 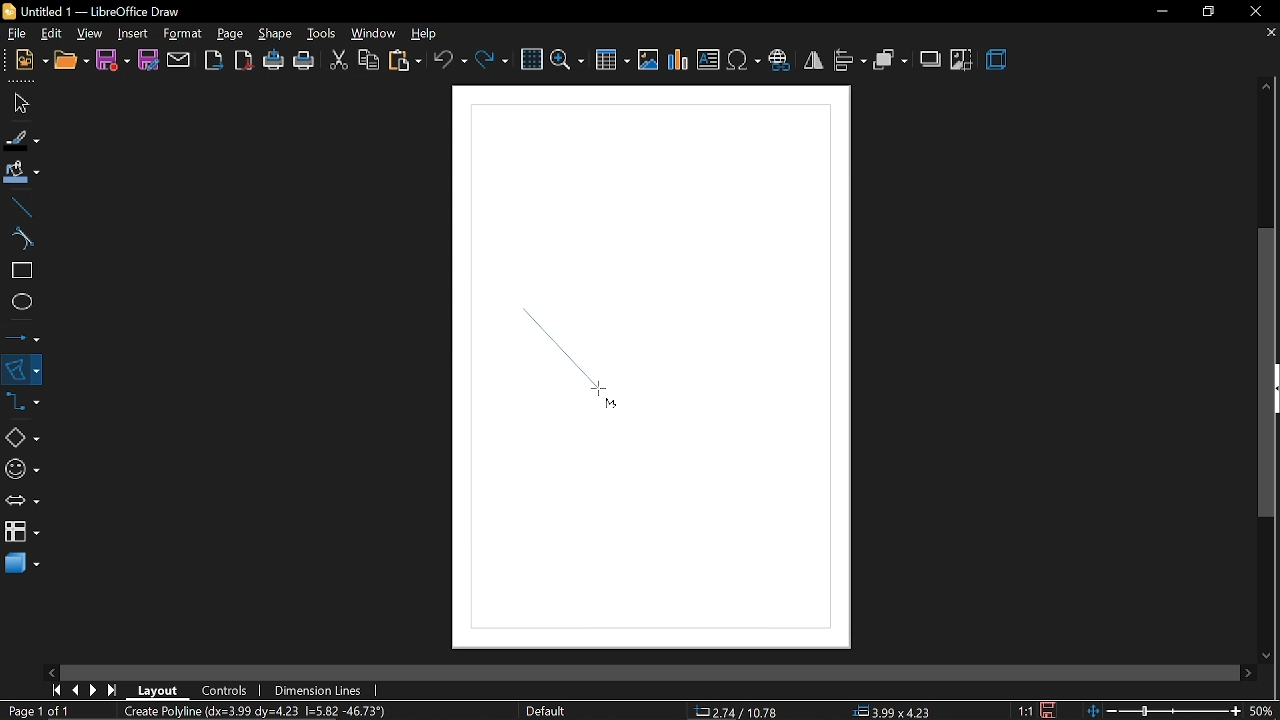 What do you see at coordinates (404, 60) in the screenshot?
I see `paste` at bounding box center [404, 60].